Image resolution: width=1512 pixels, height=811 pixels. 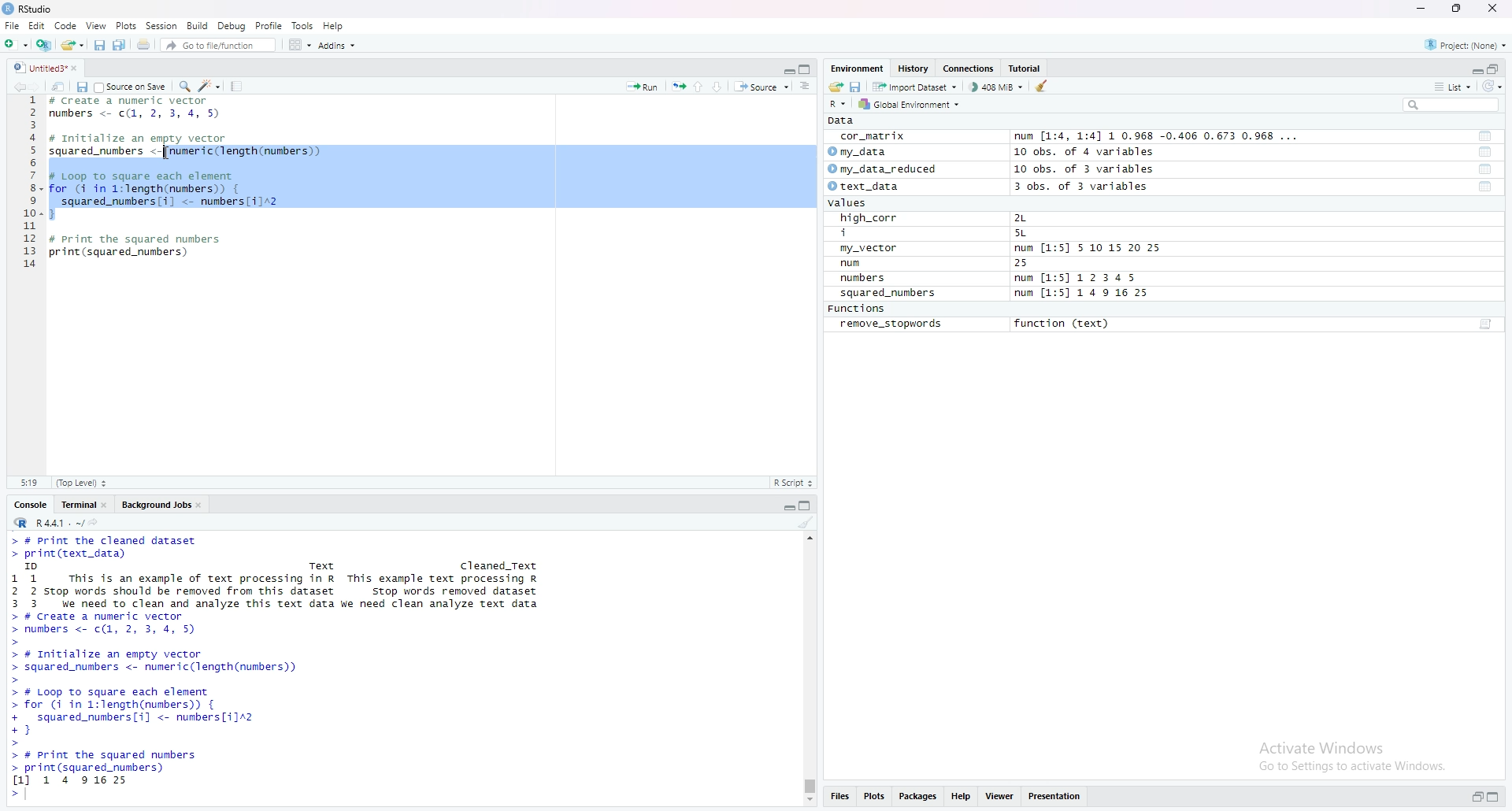 I want to click on scrollbar down, so click(x=808, y=802).